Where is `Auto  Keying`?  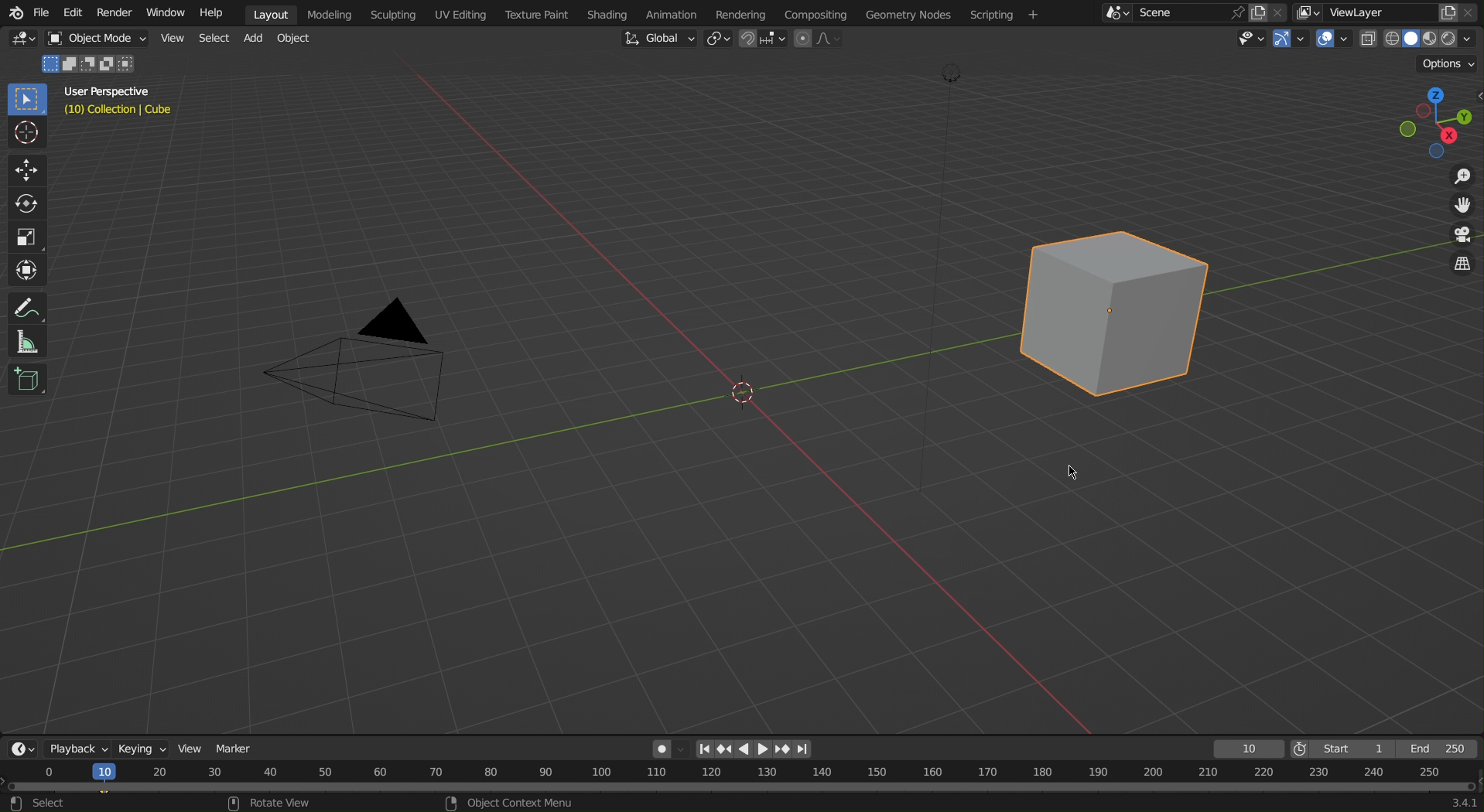 Auto  Keying is located at coordinates (666, 746).